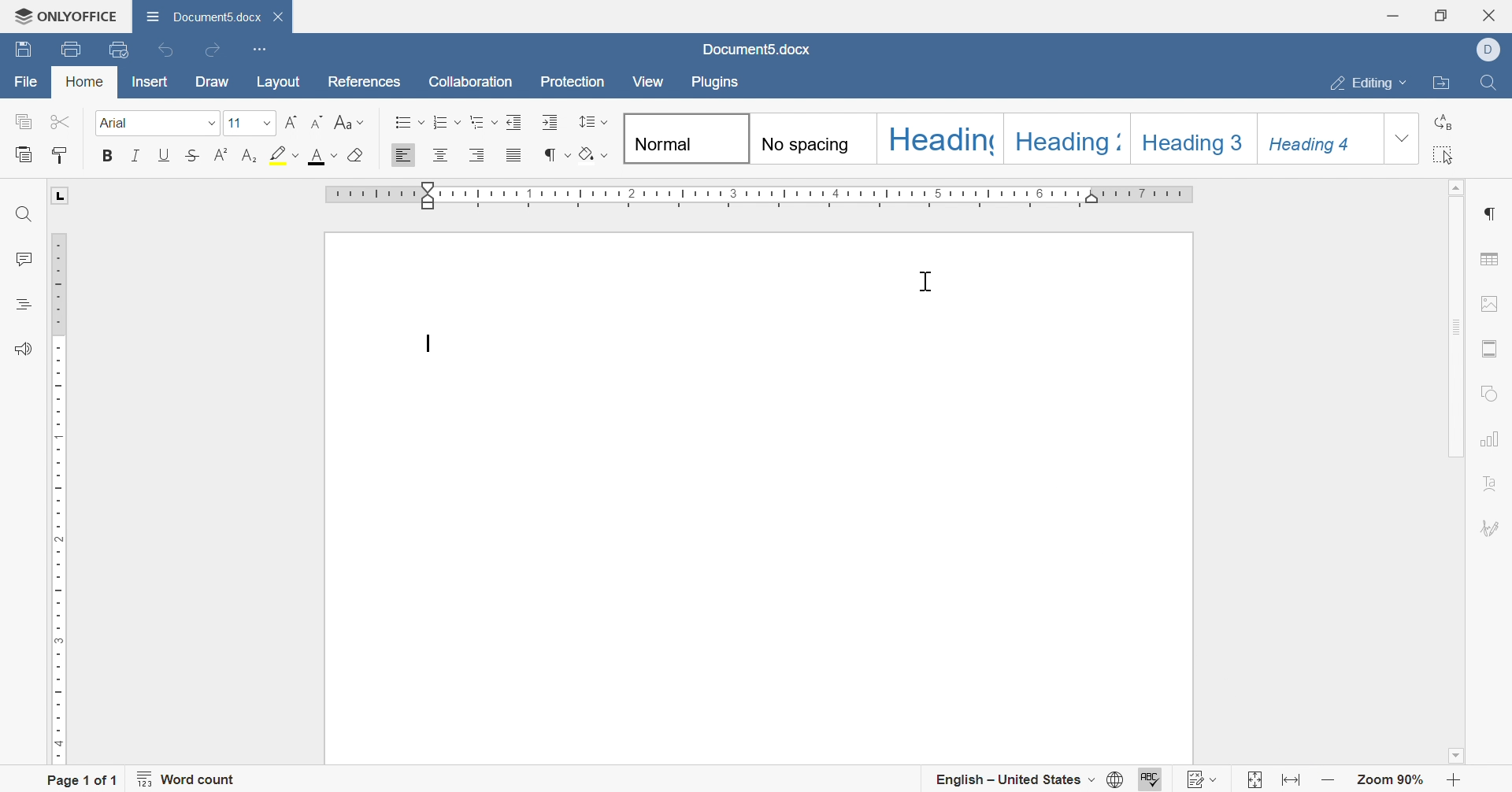  Describe the element at coordinates (364, 83) in the screenshot. I see `references` at that location.